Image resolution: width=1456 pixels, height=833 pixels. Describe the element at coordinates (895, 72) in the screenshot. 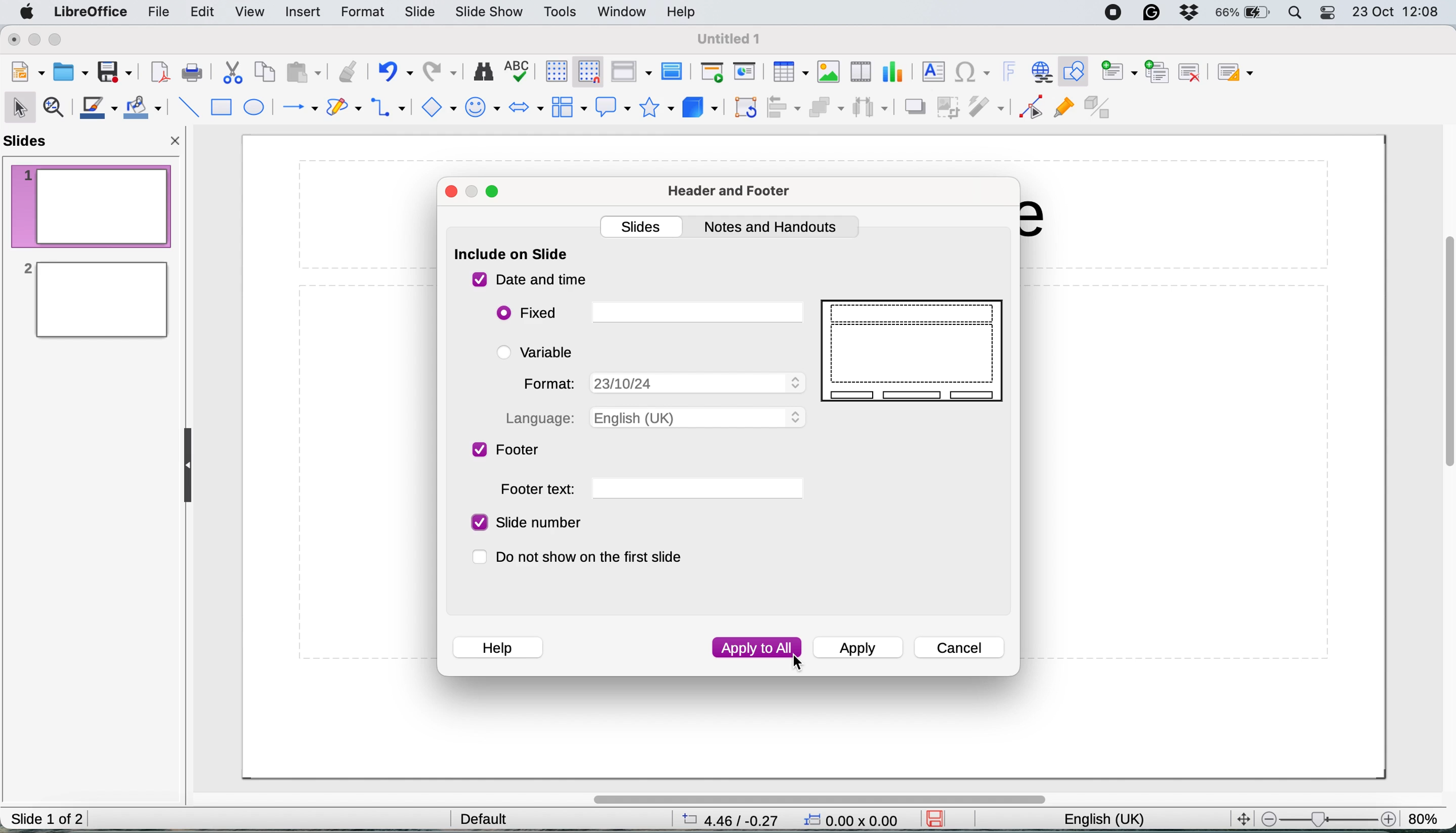

I see `insert chart` at that location.